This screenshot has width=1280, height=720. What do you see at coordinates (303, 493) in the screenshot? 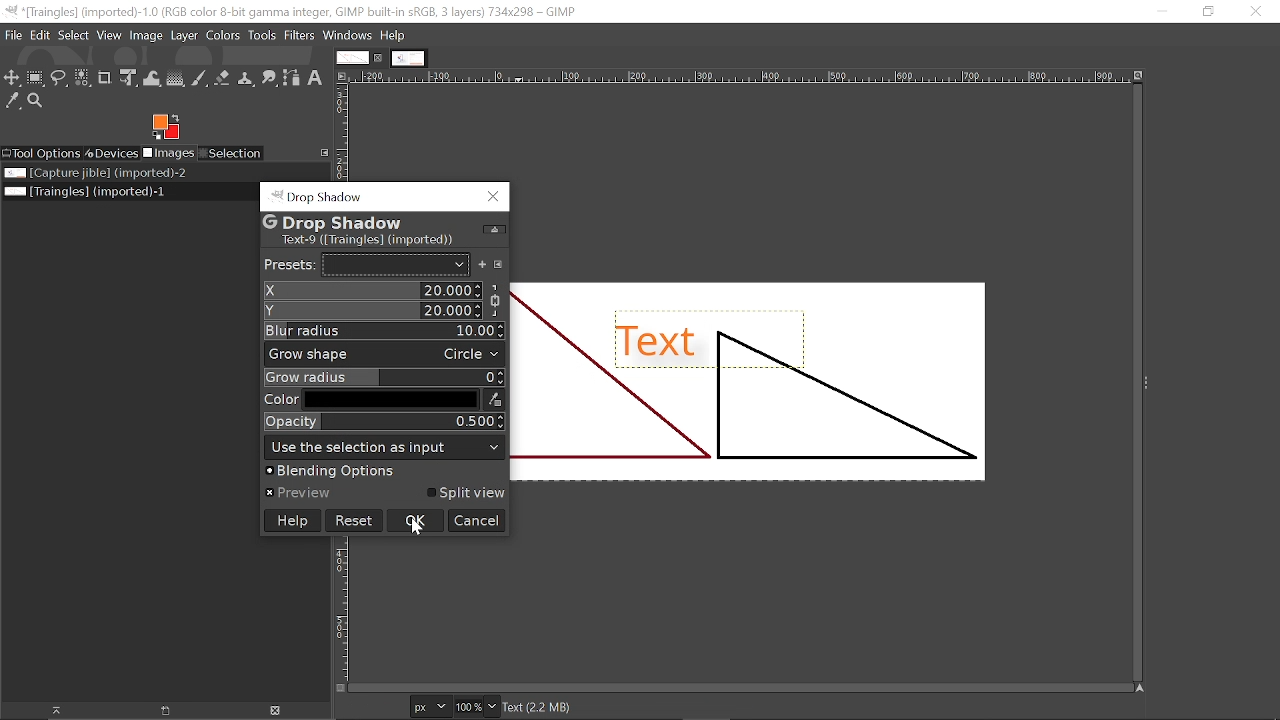
I see `` at bounding box center [303, 493].